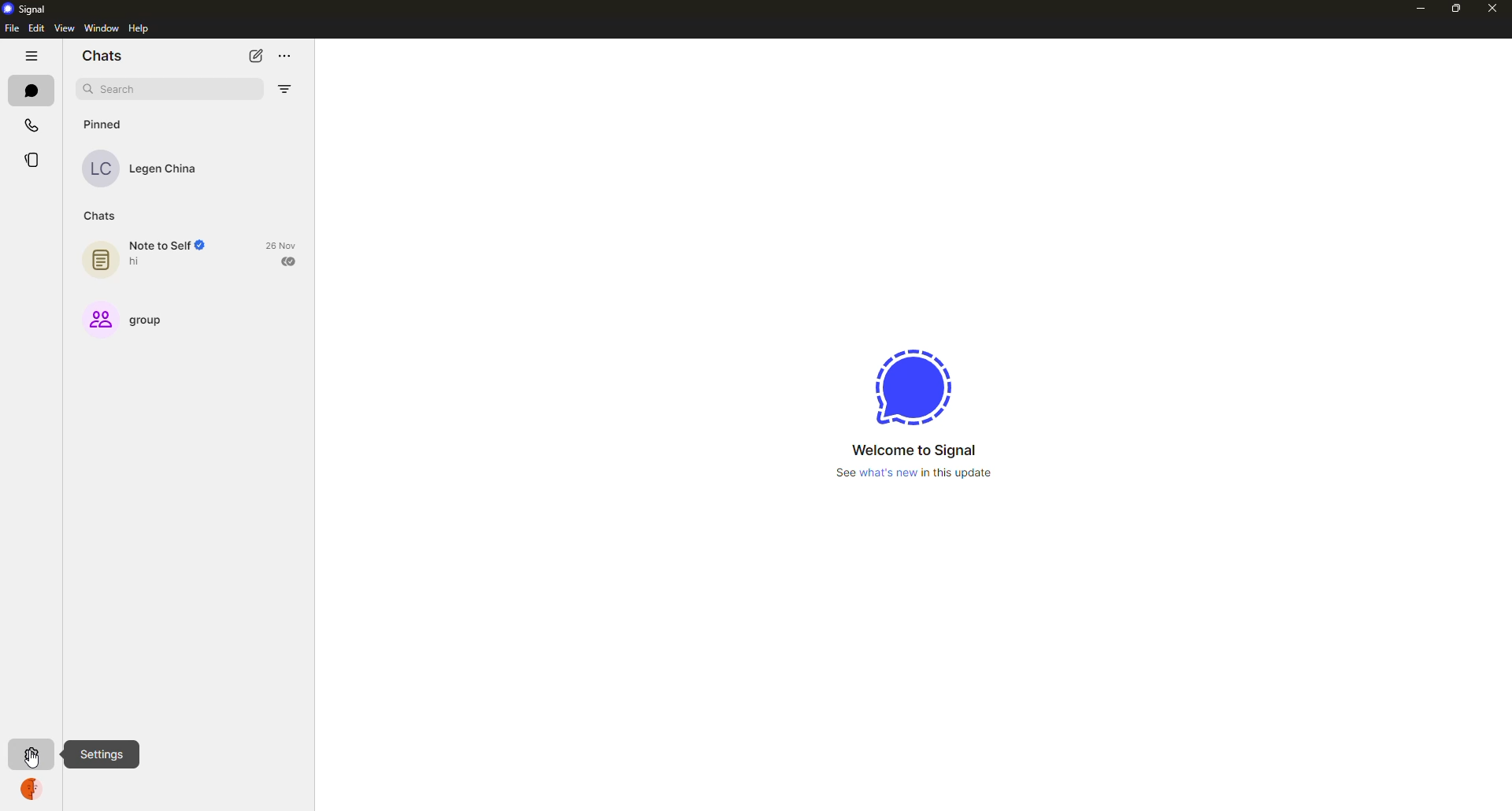  Describe the element at coordinates (105, 170) in the screenshot. I see `LC` at that location.